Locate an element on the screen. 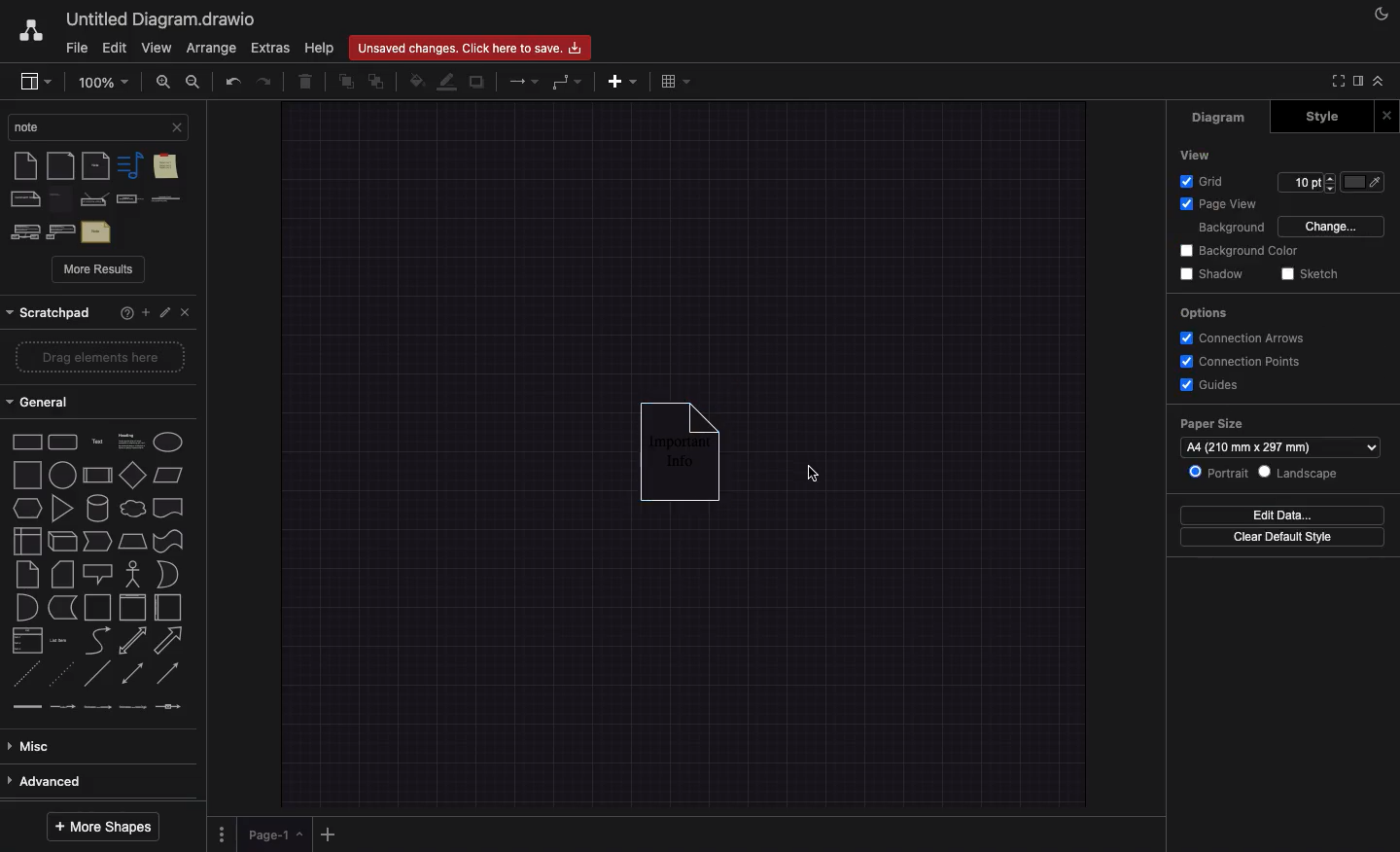 The image size is (1400, 852). misc is located at coordinates (91, 745).